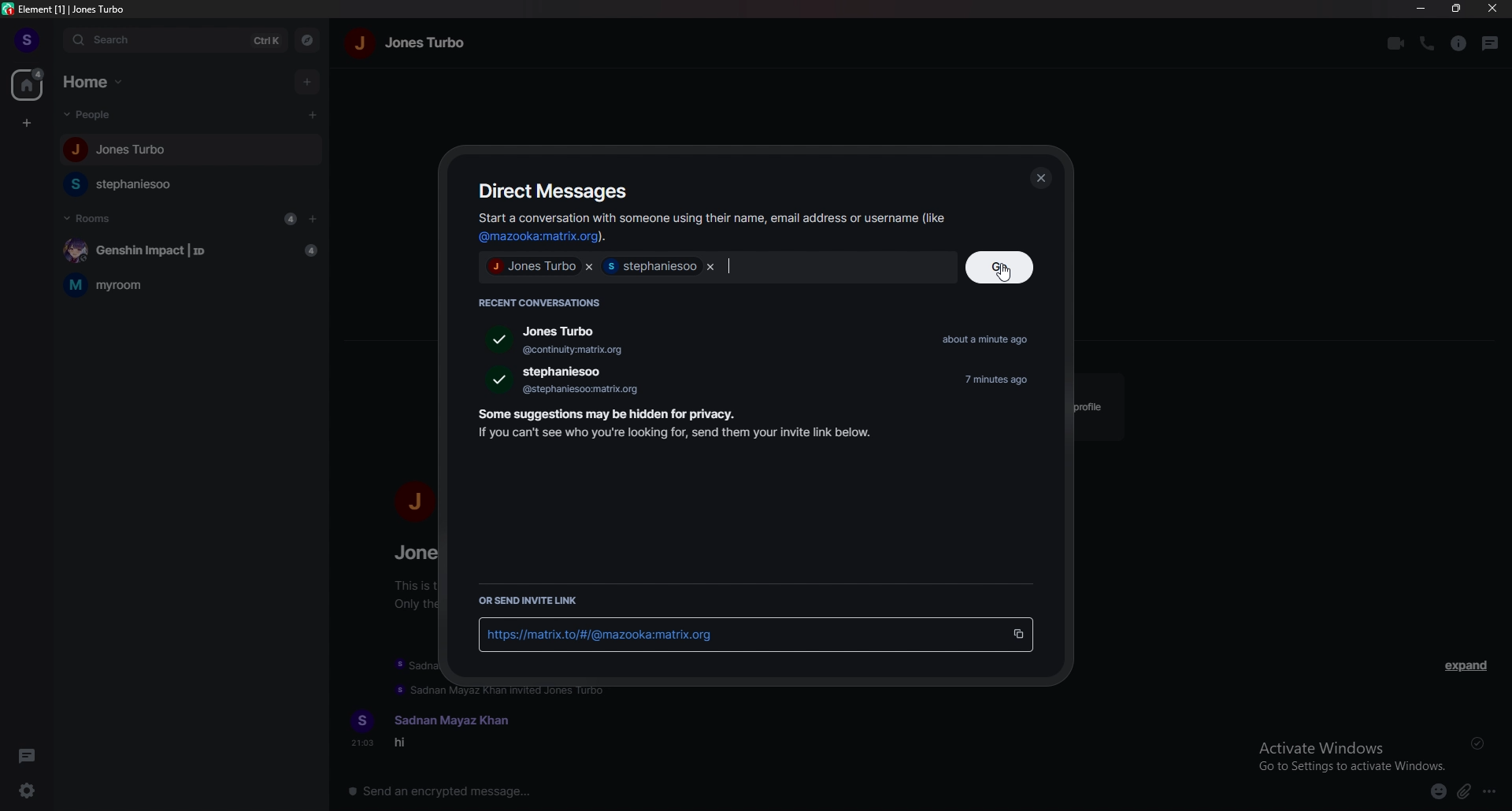 The image size is (1512, 811). I want to click on video call, so click(1394, 44).